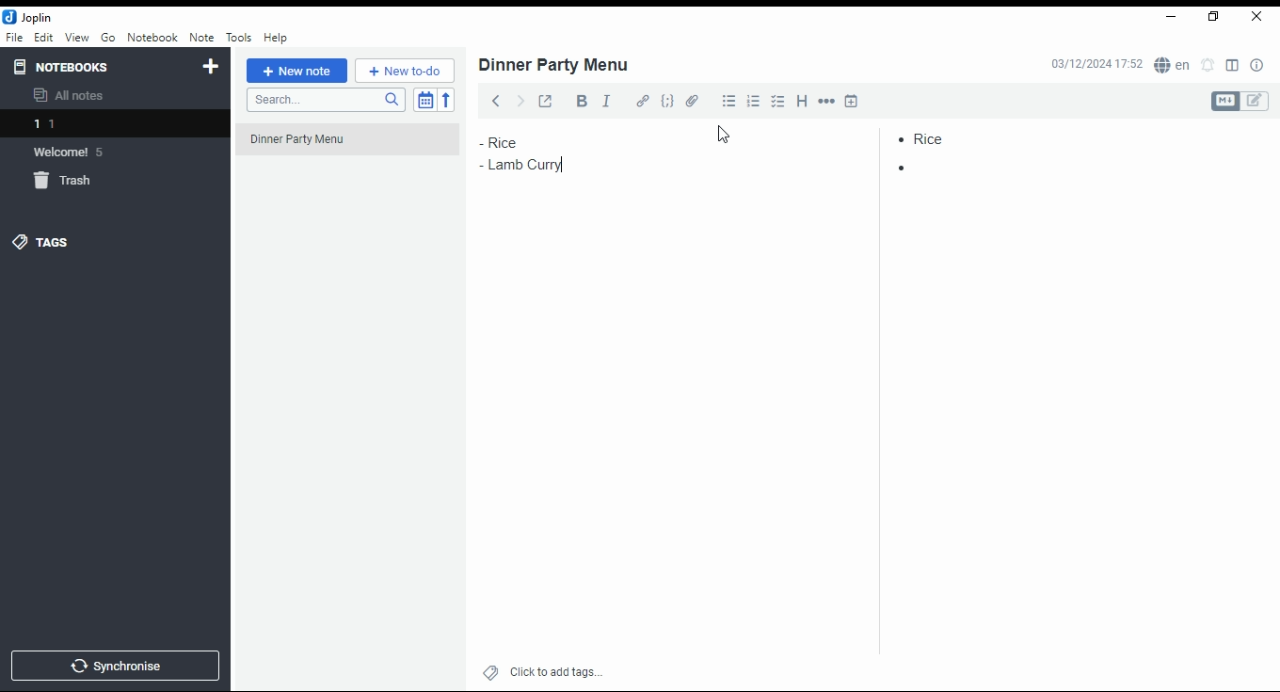  Describe the element at coordinates (1257, 17) in the screenshot. I see `close` at that location.